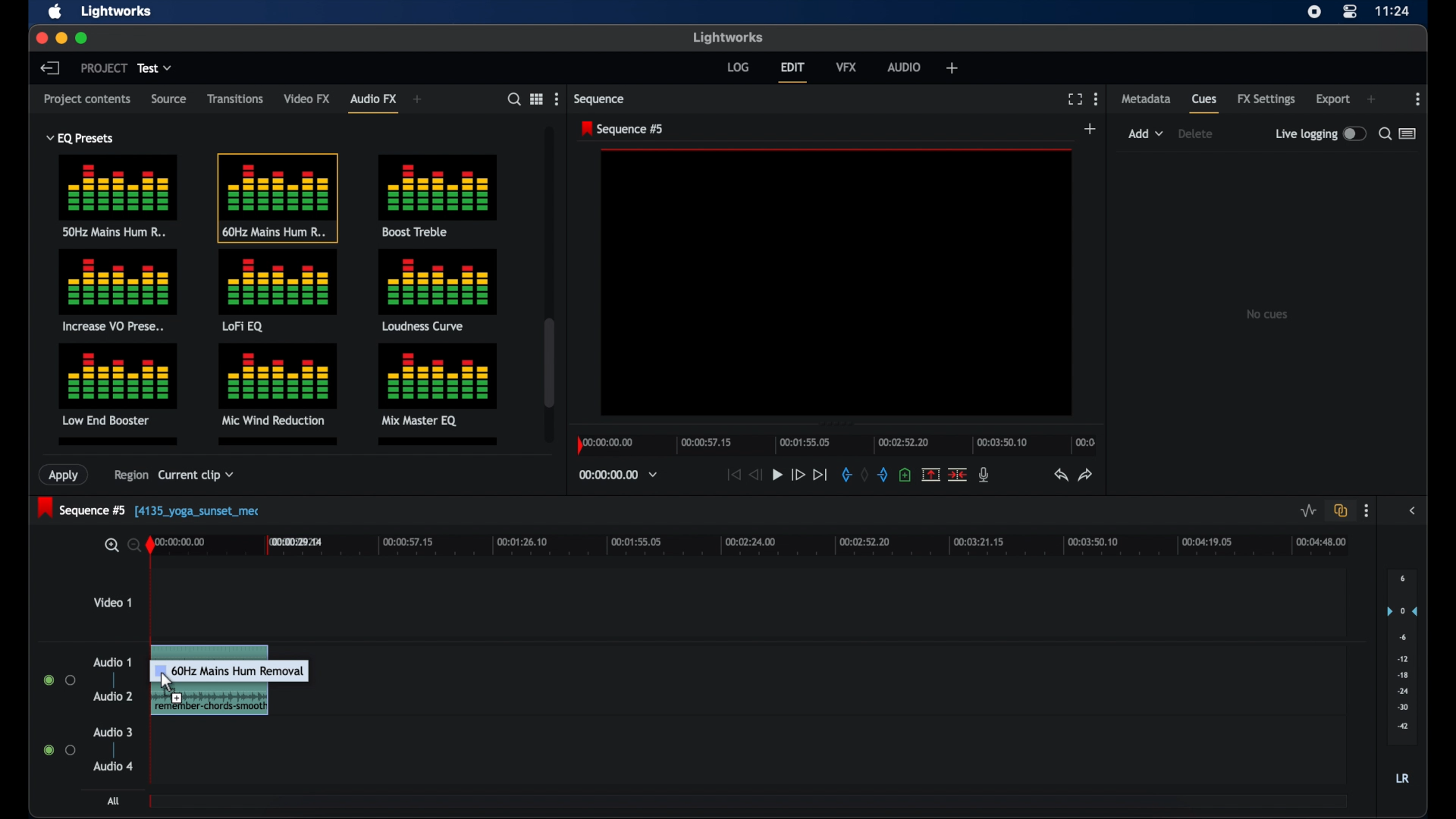 Image resolution: width=1456 pixels, height=819 pixels. I want to click on minimize, so click(61, 39).